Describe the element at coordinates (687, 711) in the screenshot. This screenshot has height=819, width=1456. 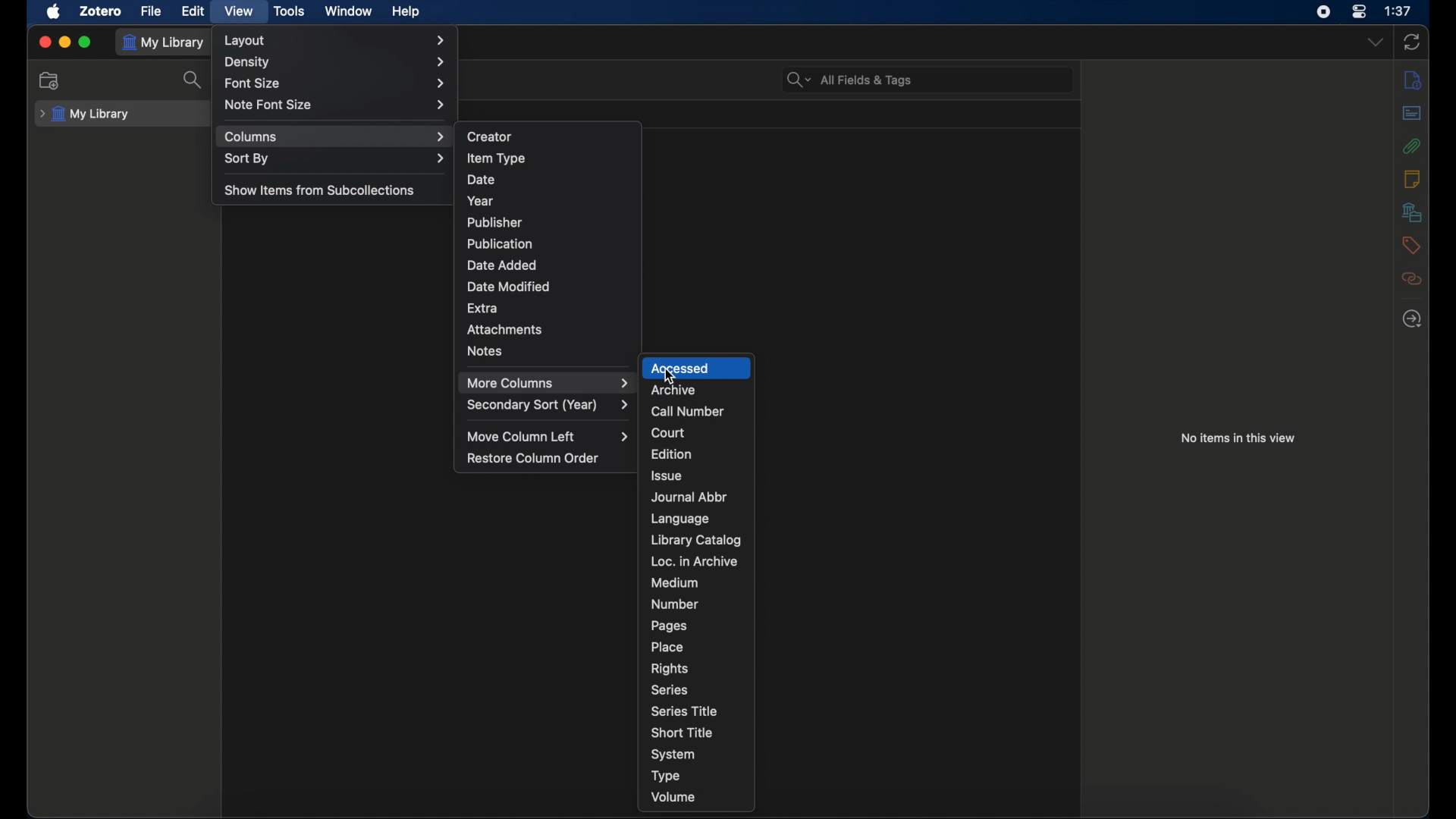
I see `series title` at that location.